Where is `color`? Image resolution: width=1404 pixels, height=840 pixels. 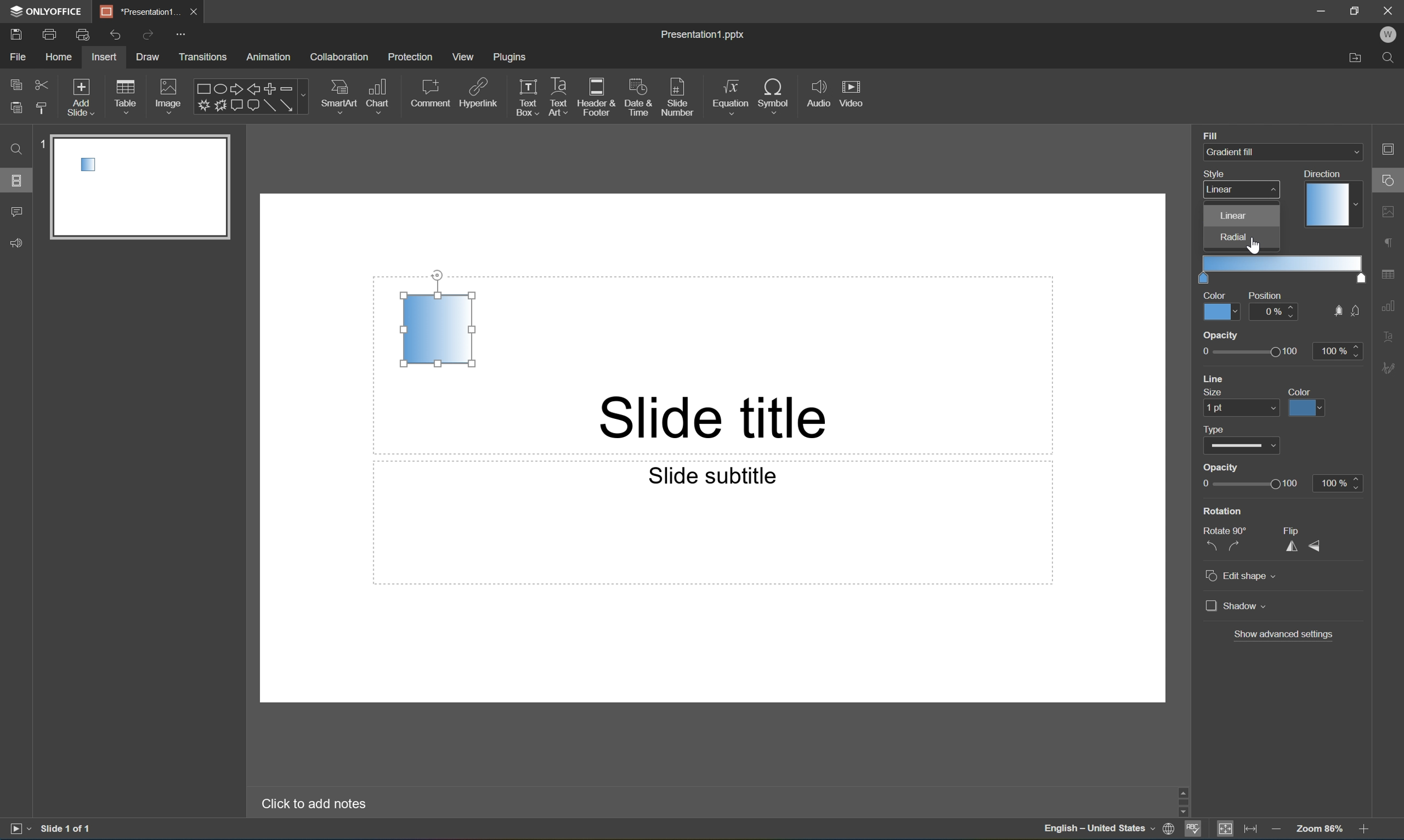
color is located at coordinates (1222, 306).